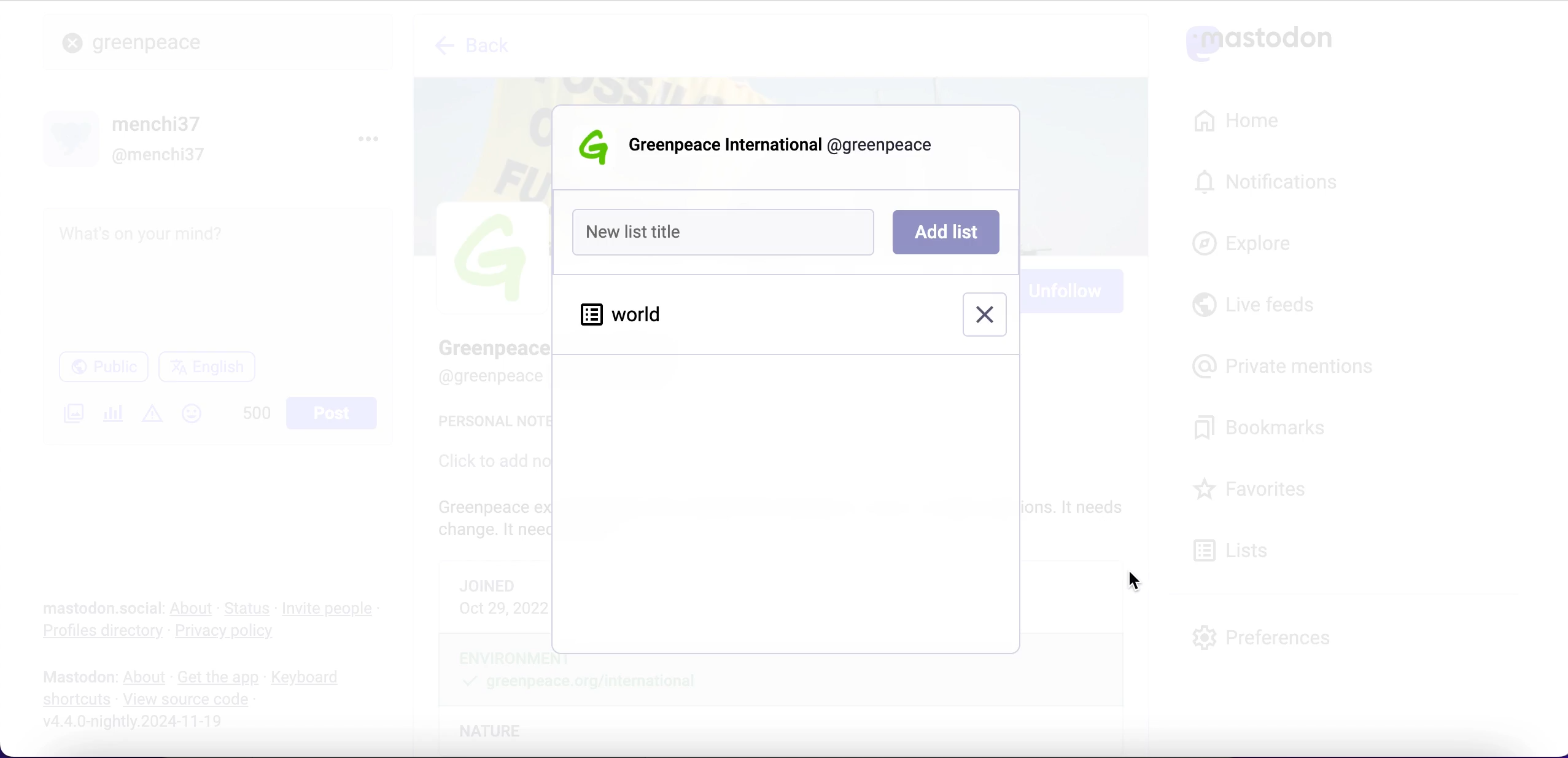 This screenshot has width=1568, height=758. I want to click on bookmarks, so click(1263, 428).